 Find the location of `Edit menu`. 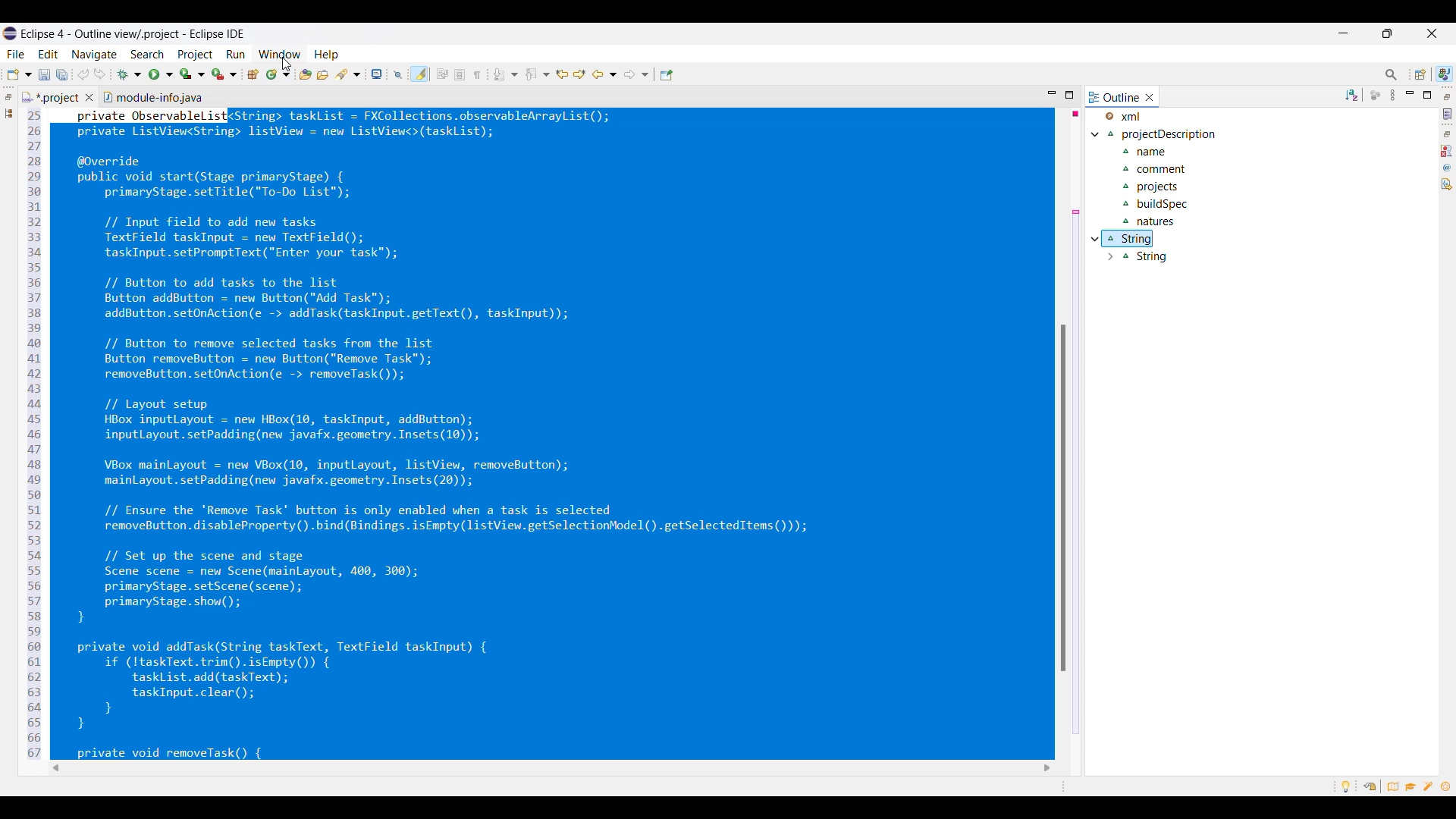

Edit menu is located at coordinates (49, 54).